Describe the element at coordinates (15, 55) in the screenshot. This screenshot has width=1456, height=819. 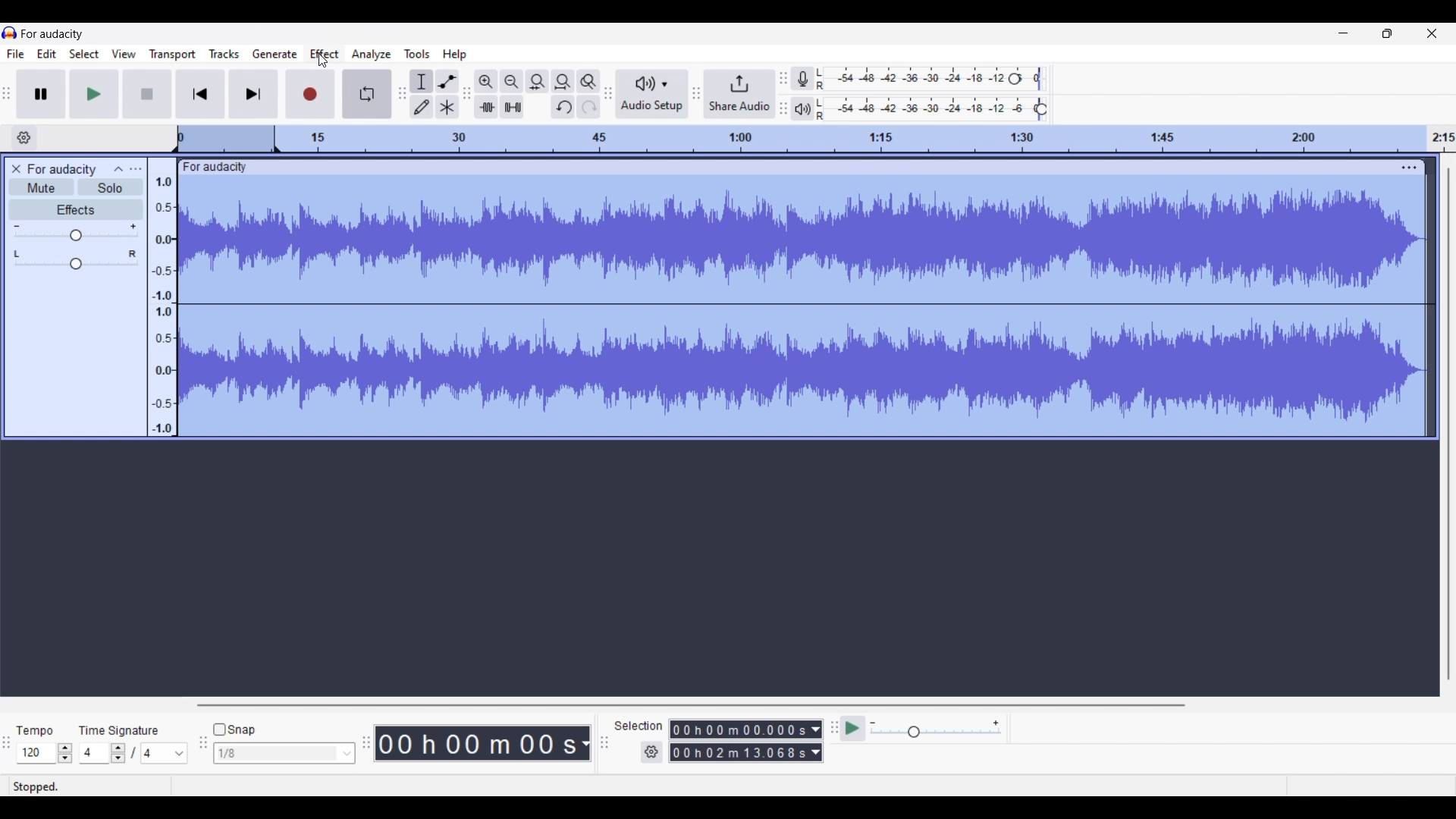
I see `File menu` at that location.